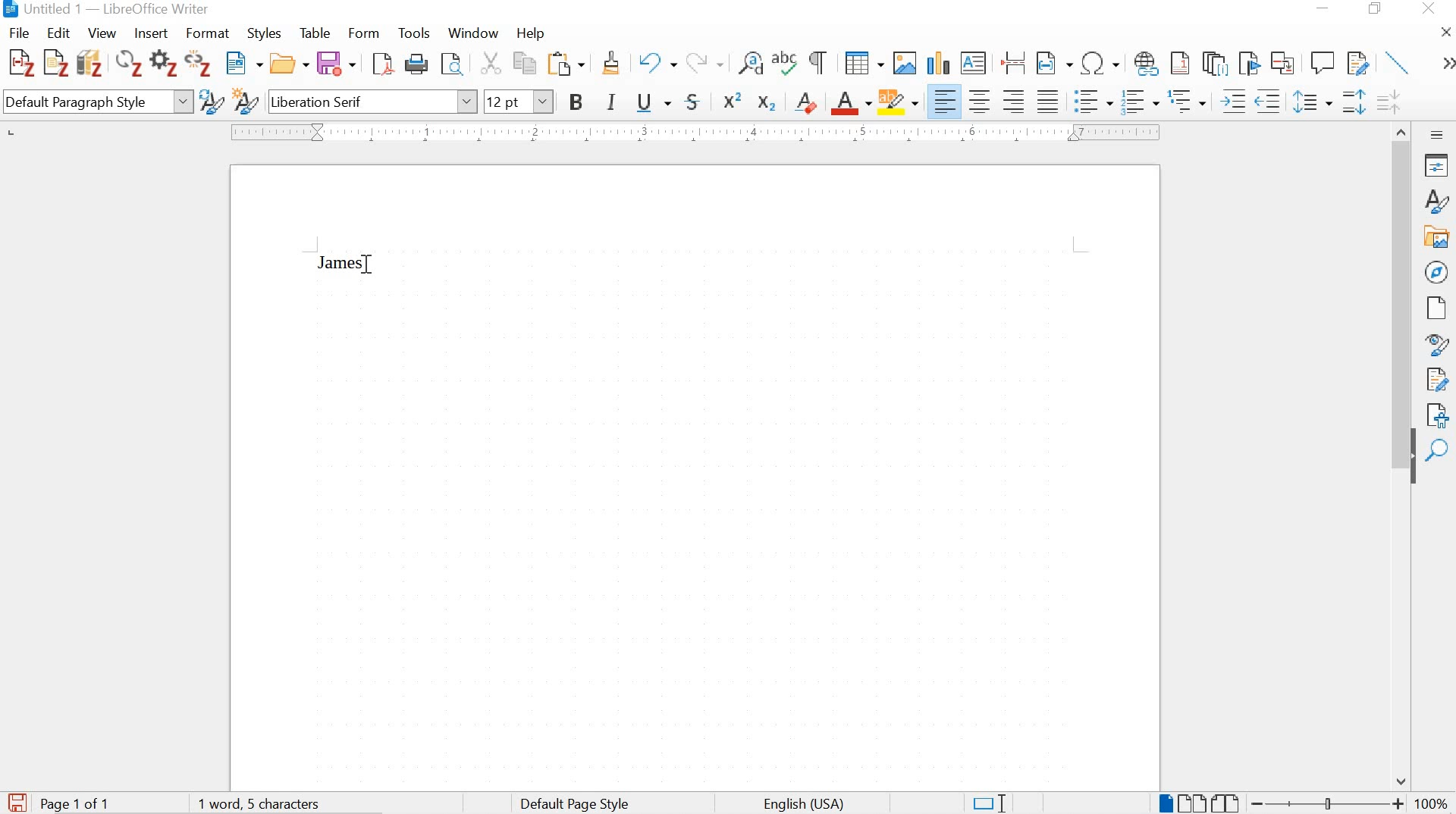 This screenshot has width=1456, height=814. What do you see at coordinates (1321, 8) in the screenshot?
I see `minimize` at bounding box center [1321, 8].